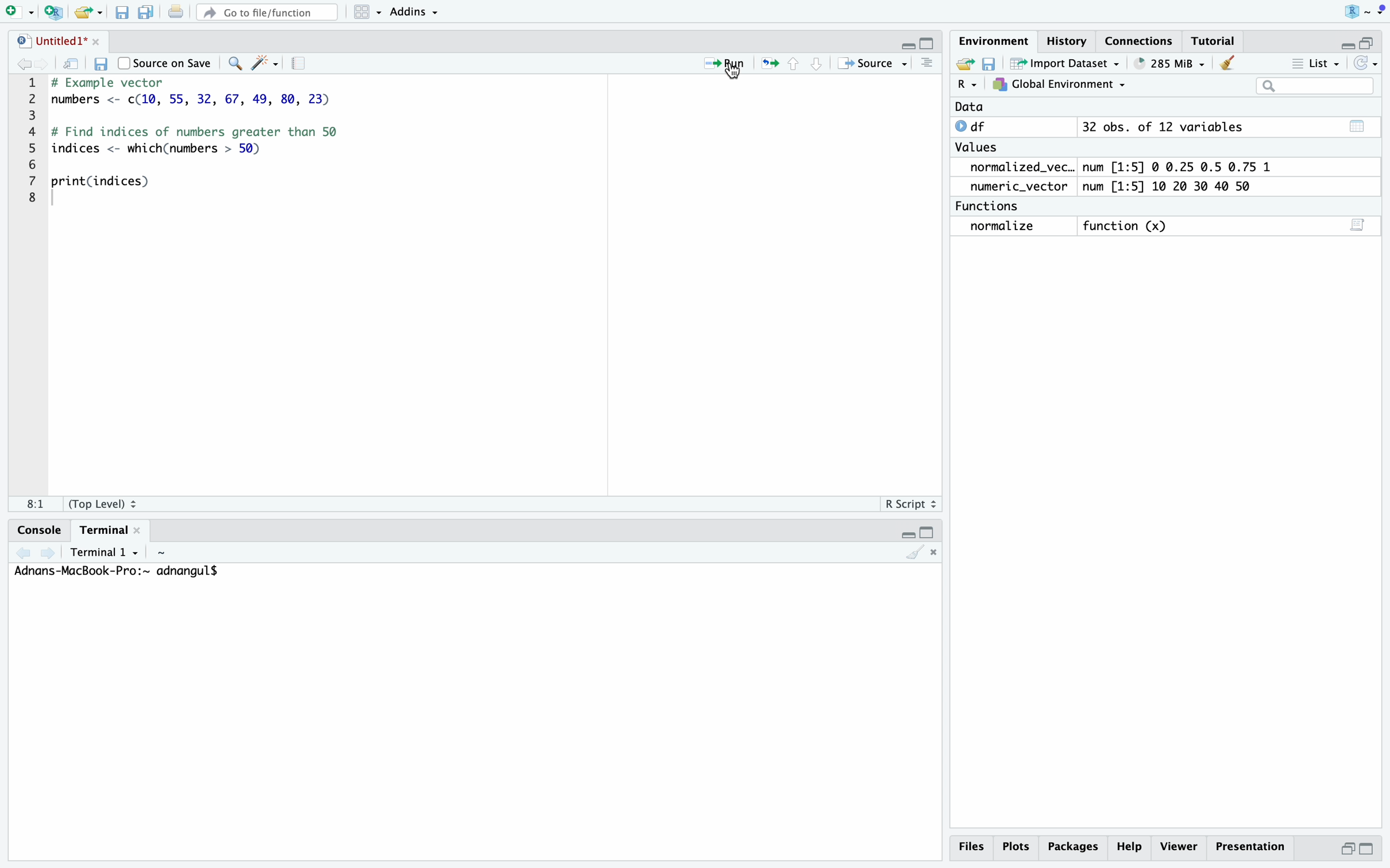  Describe the element at coordinates (1023, 187) in the screenshot. I see `numeric_vector` at that location.